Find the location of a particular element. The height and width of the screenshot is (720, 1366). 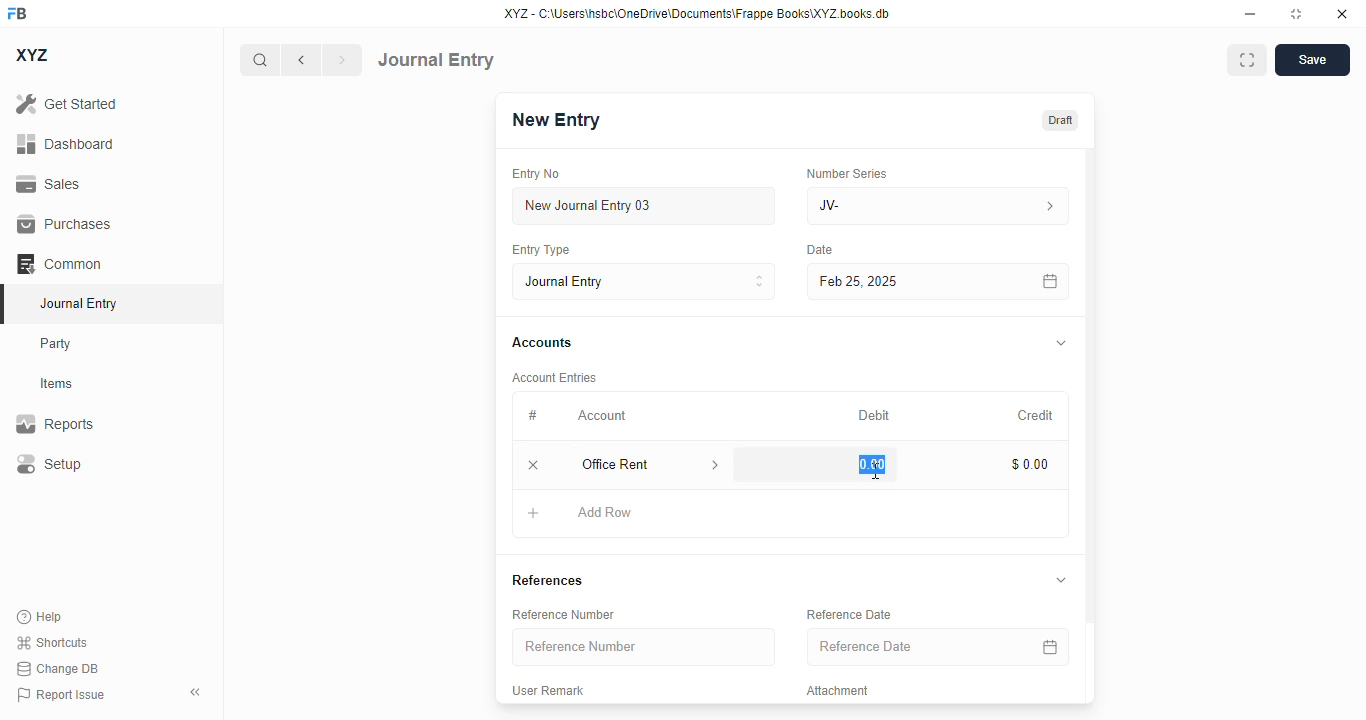

attachment is located at coordinates (838, 690).